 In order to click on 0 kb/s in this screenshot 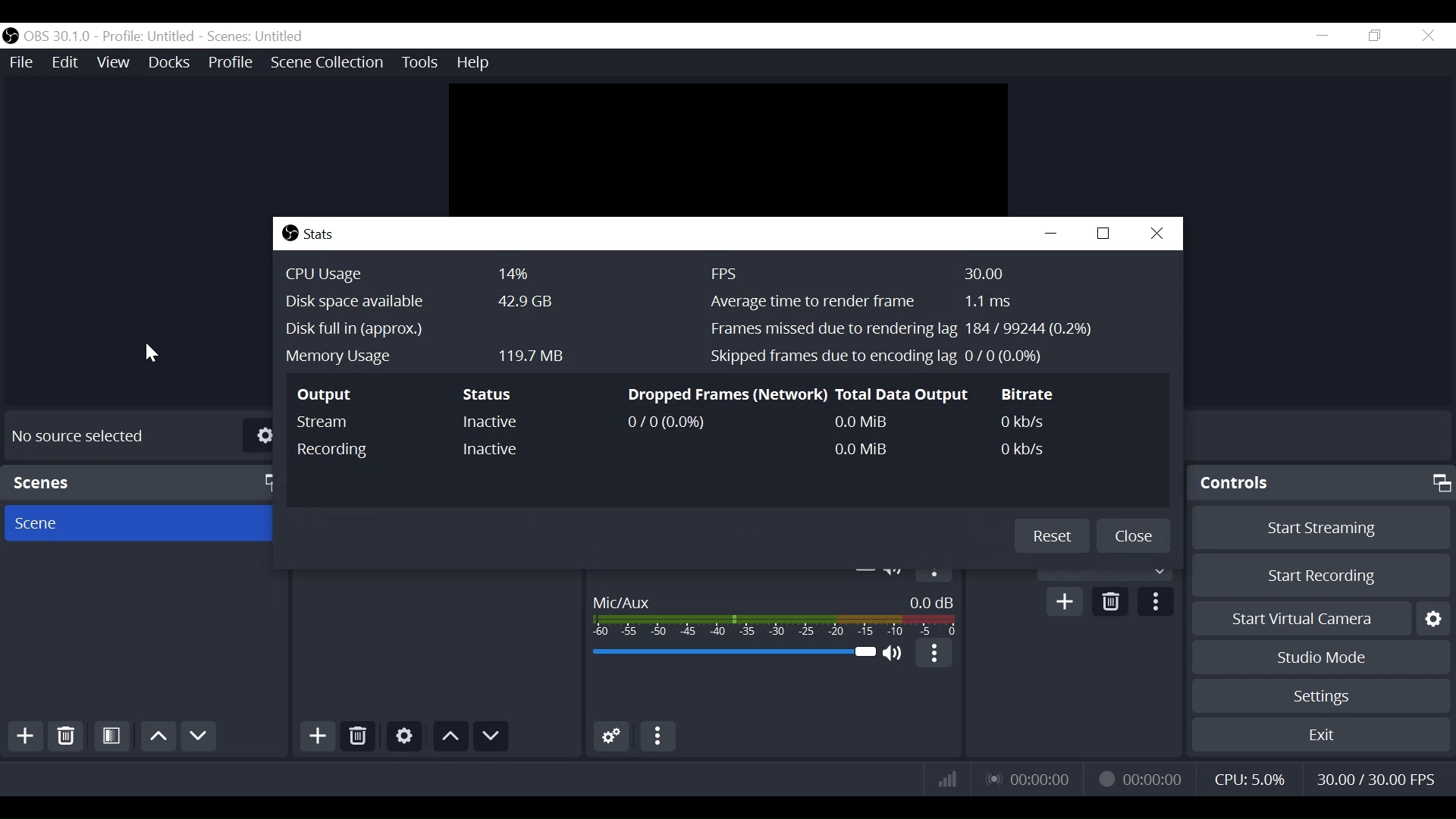, I will do `click(1028, 450)`.